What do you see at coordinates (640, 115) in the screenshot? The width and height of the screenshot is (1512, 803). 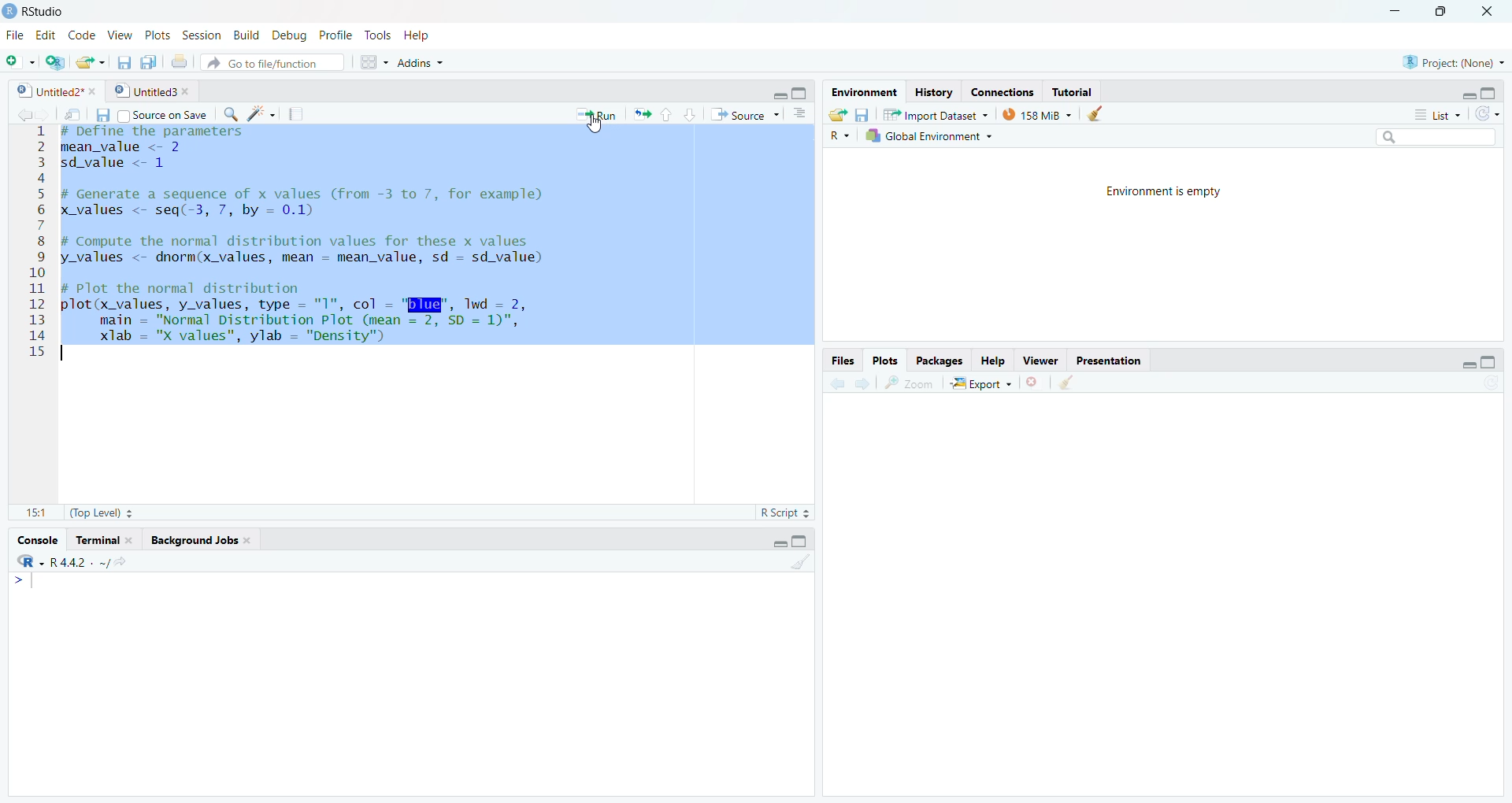 I see `rerun the previous code` at bounding box center [640, 115].